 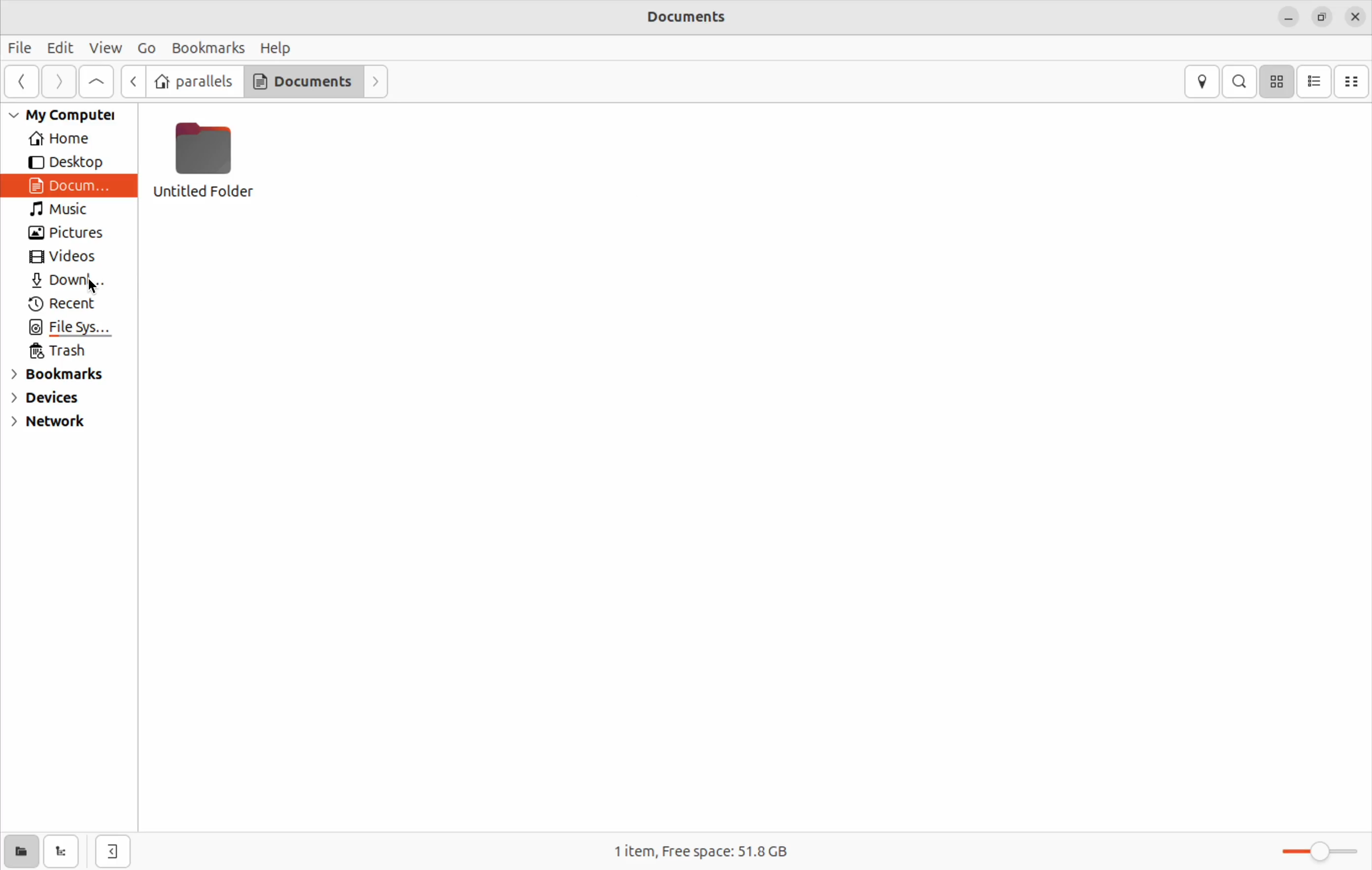 I want to click on minimize, so click(x=1287, y=19).